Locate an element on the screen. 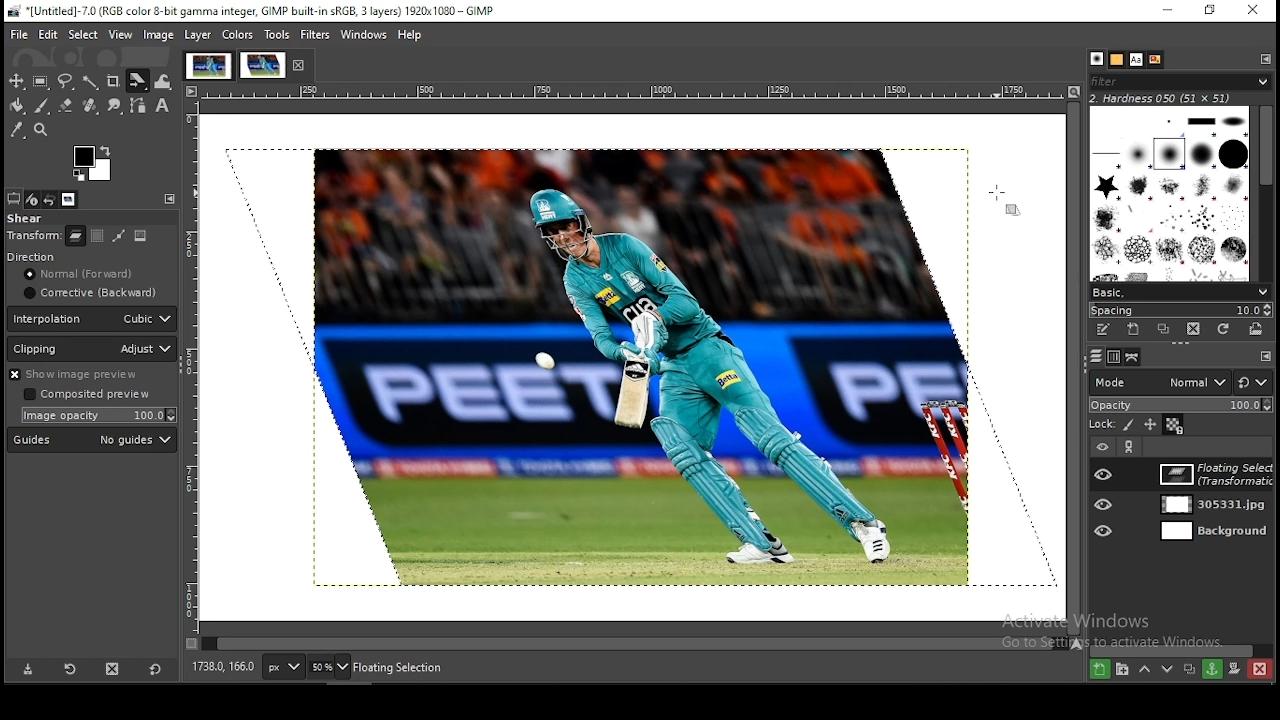  device status is located at coordinates (32, 200).